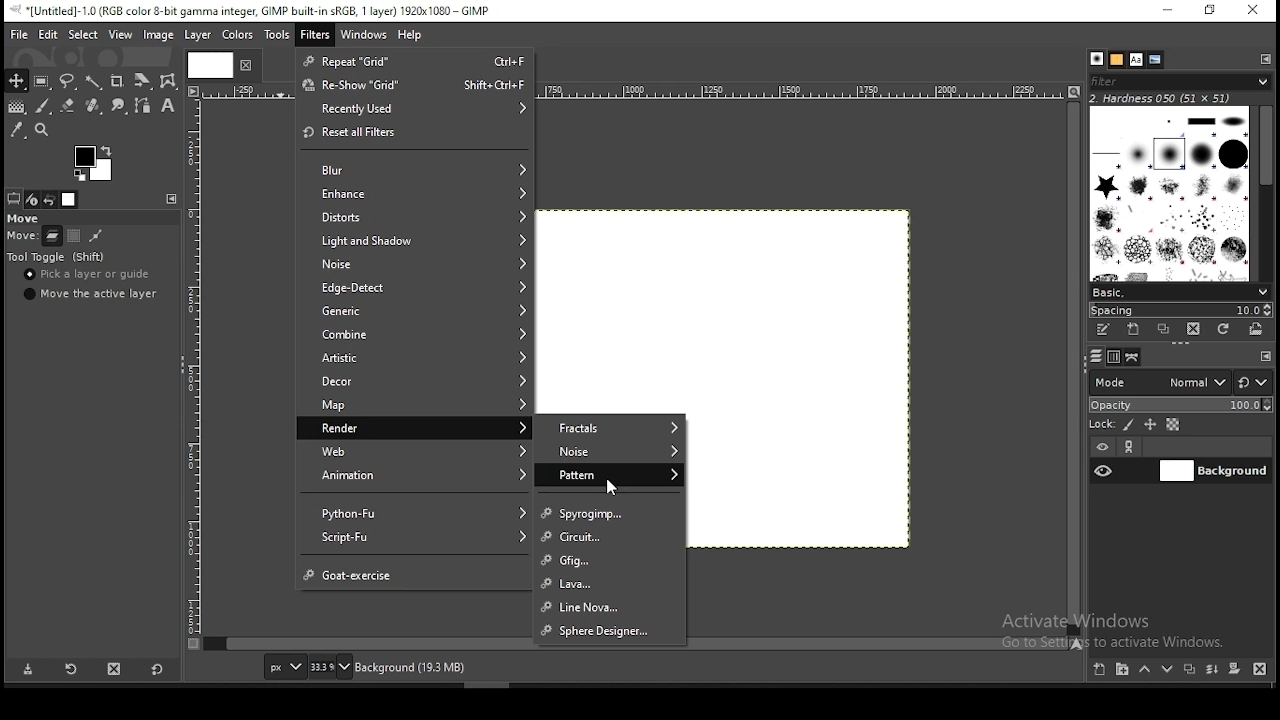  Describe the element at coordinates (611, 605) in the screenshot. I see `line nova` at that location.